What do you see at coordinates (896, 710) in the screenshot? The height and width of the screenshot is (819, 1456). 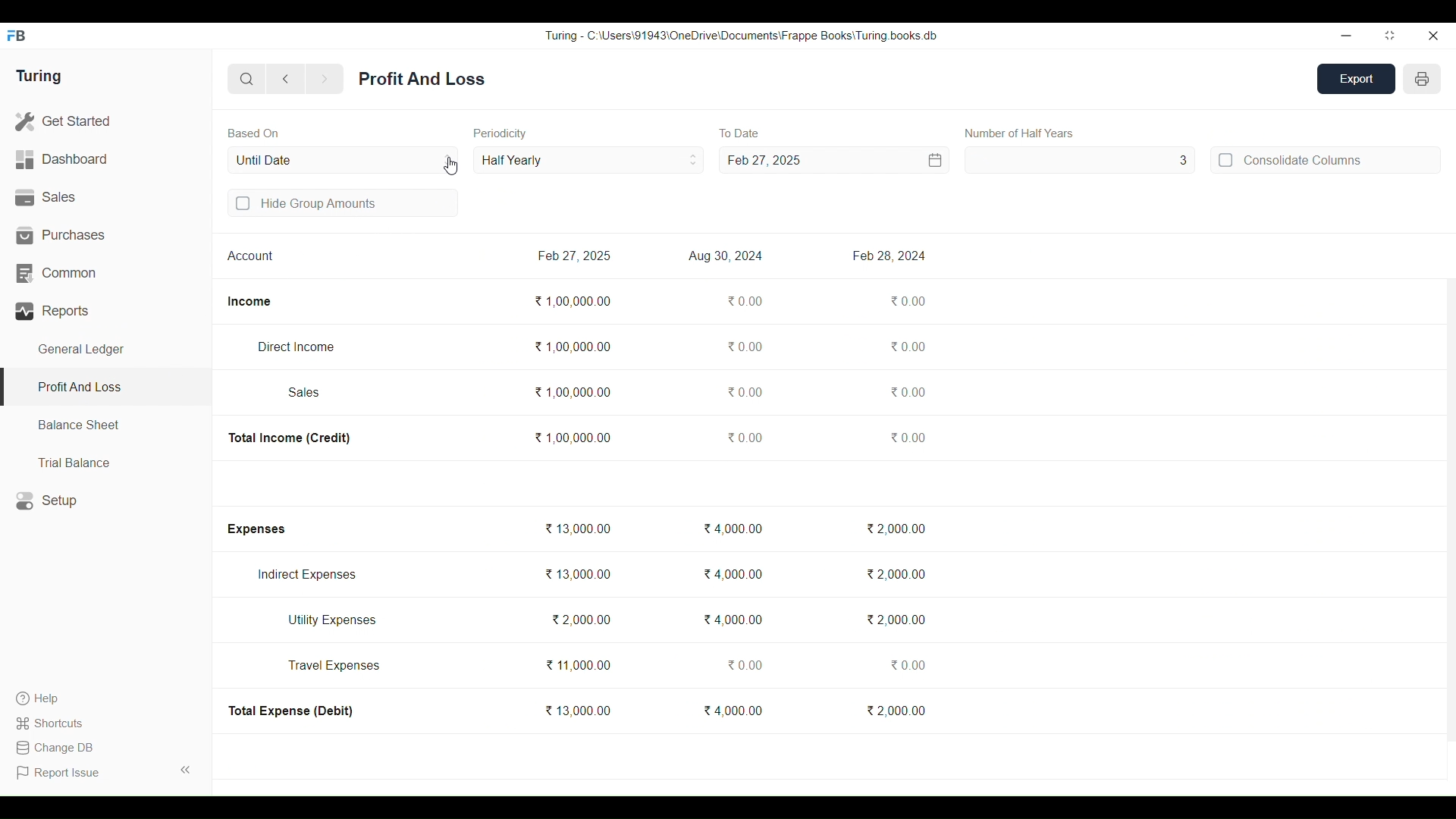 I see `2,000.00` at bounding box center [896, 710].